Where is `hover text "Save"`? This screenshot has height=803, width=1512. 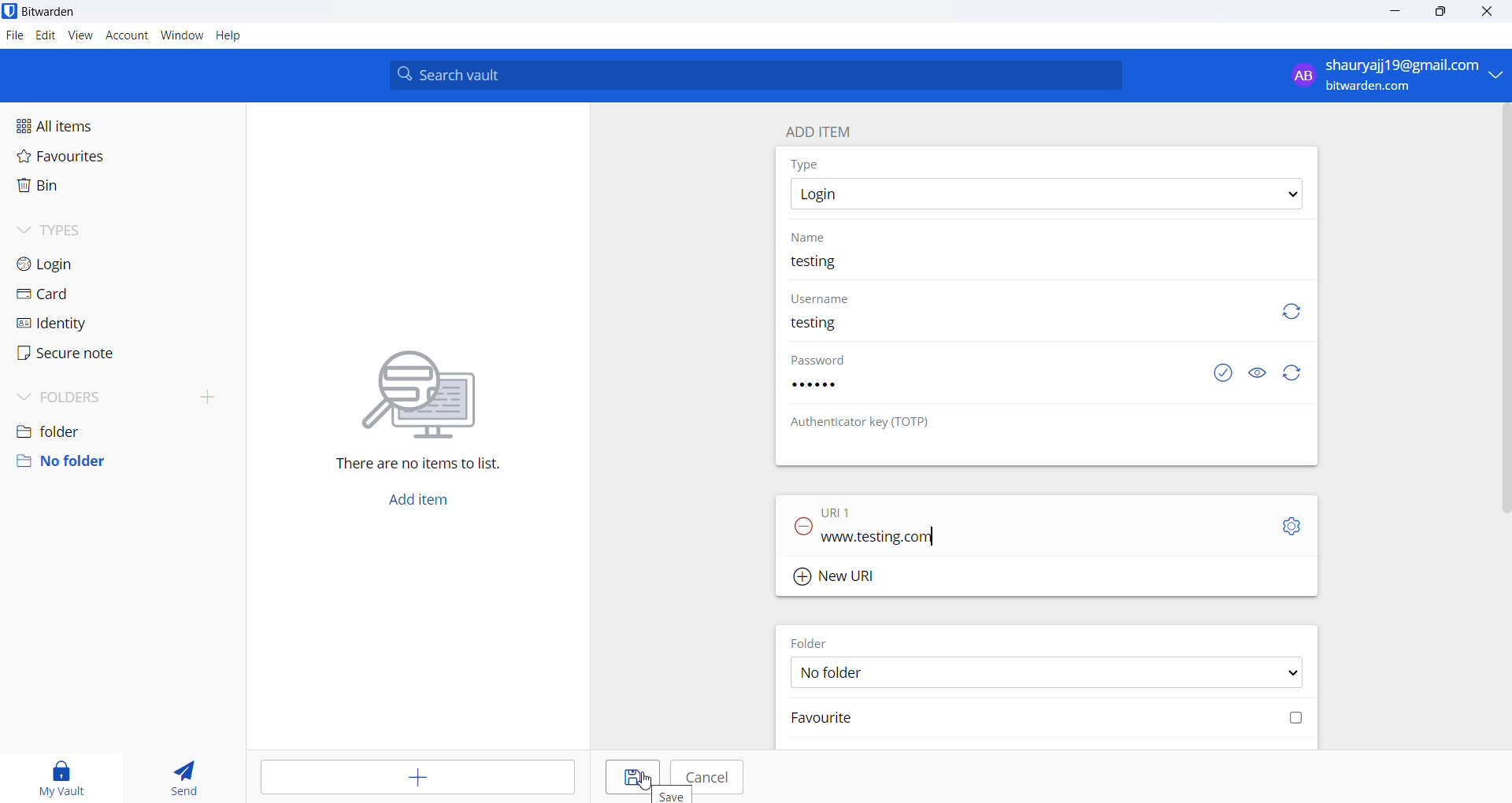 hover text "Save" is located at coordinates (673, 796).